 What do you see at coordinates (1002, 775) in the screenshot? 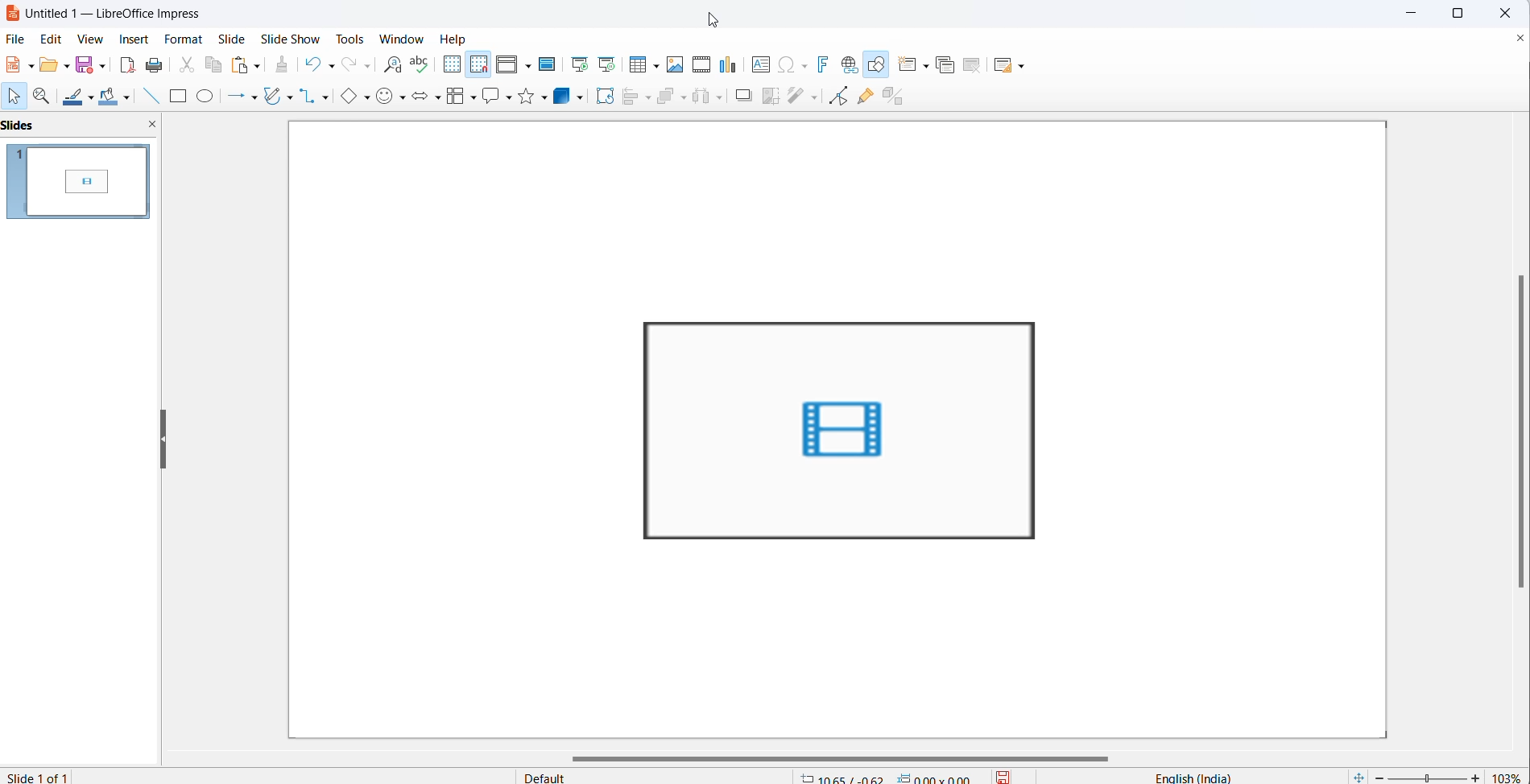
I see `save` at bounding box center [1002, 775].